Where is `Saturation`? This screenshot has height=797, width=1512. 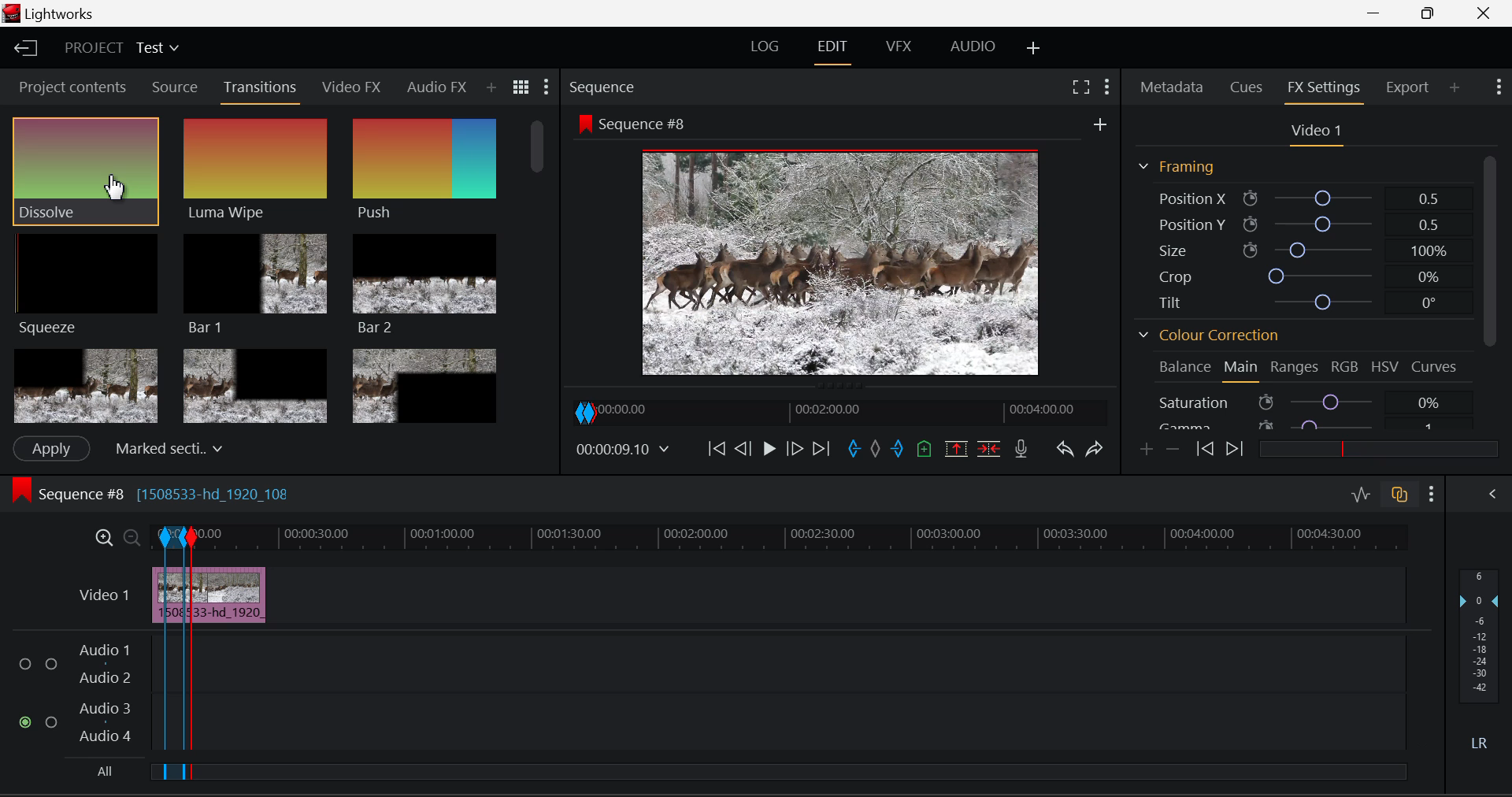 Saturation is located at coordinates (1299, 402).